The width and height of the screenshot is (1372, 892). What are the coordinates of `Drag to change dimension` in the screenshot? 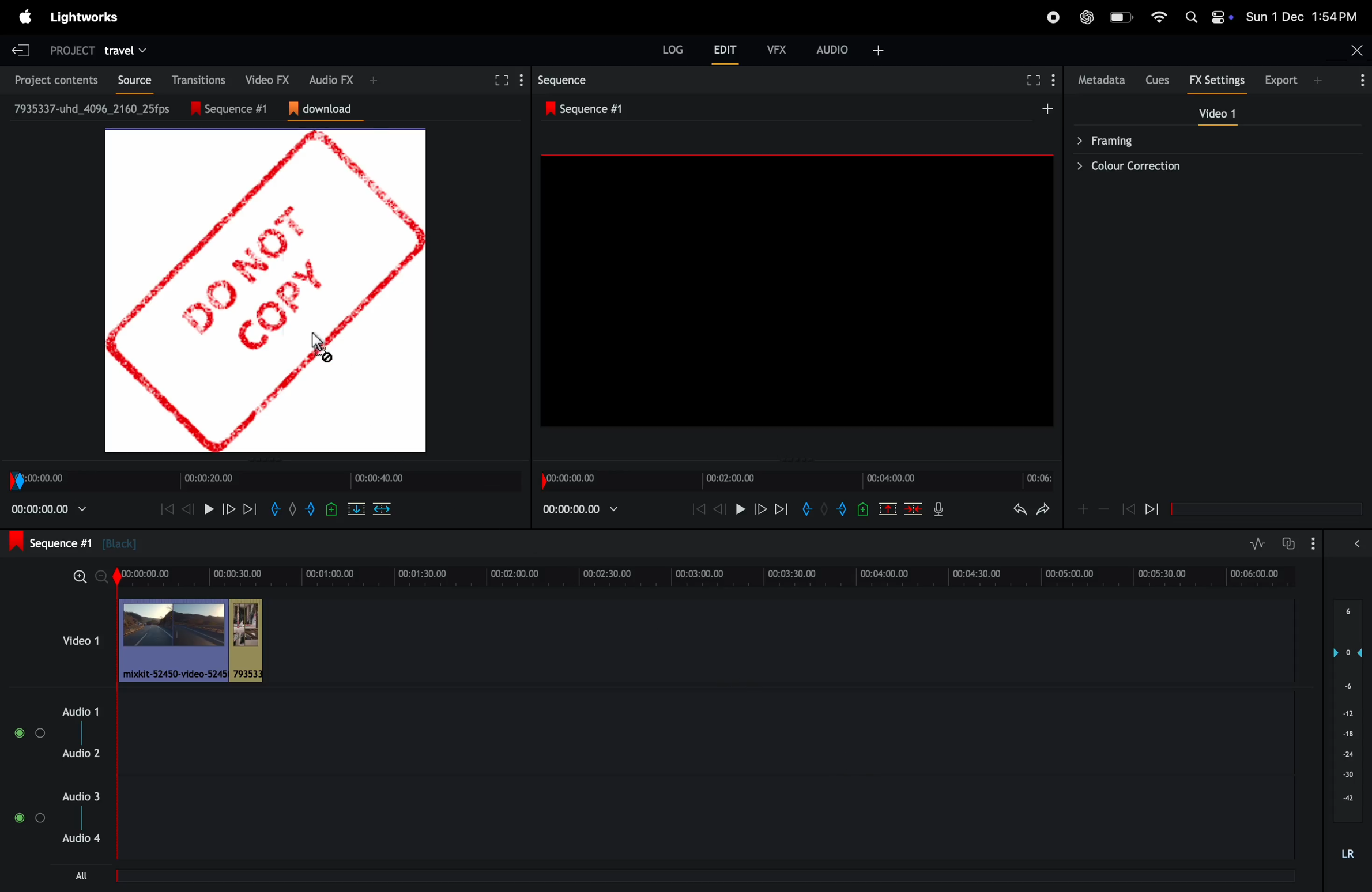 It's located at (268, 460).